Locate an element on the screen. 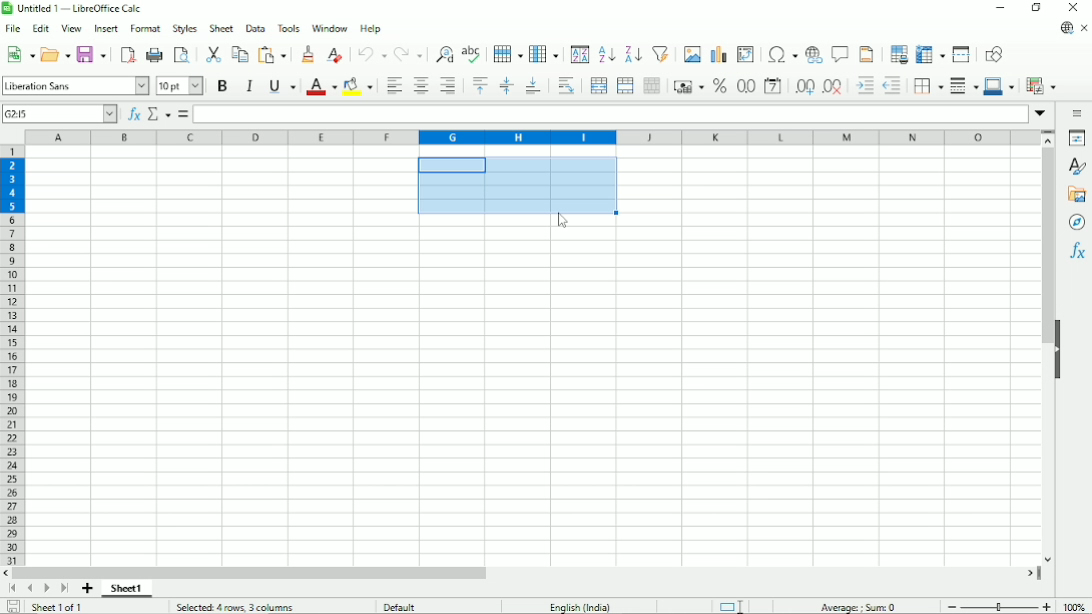  Align center is located at coordinates (420, 87).